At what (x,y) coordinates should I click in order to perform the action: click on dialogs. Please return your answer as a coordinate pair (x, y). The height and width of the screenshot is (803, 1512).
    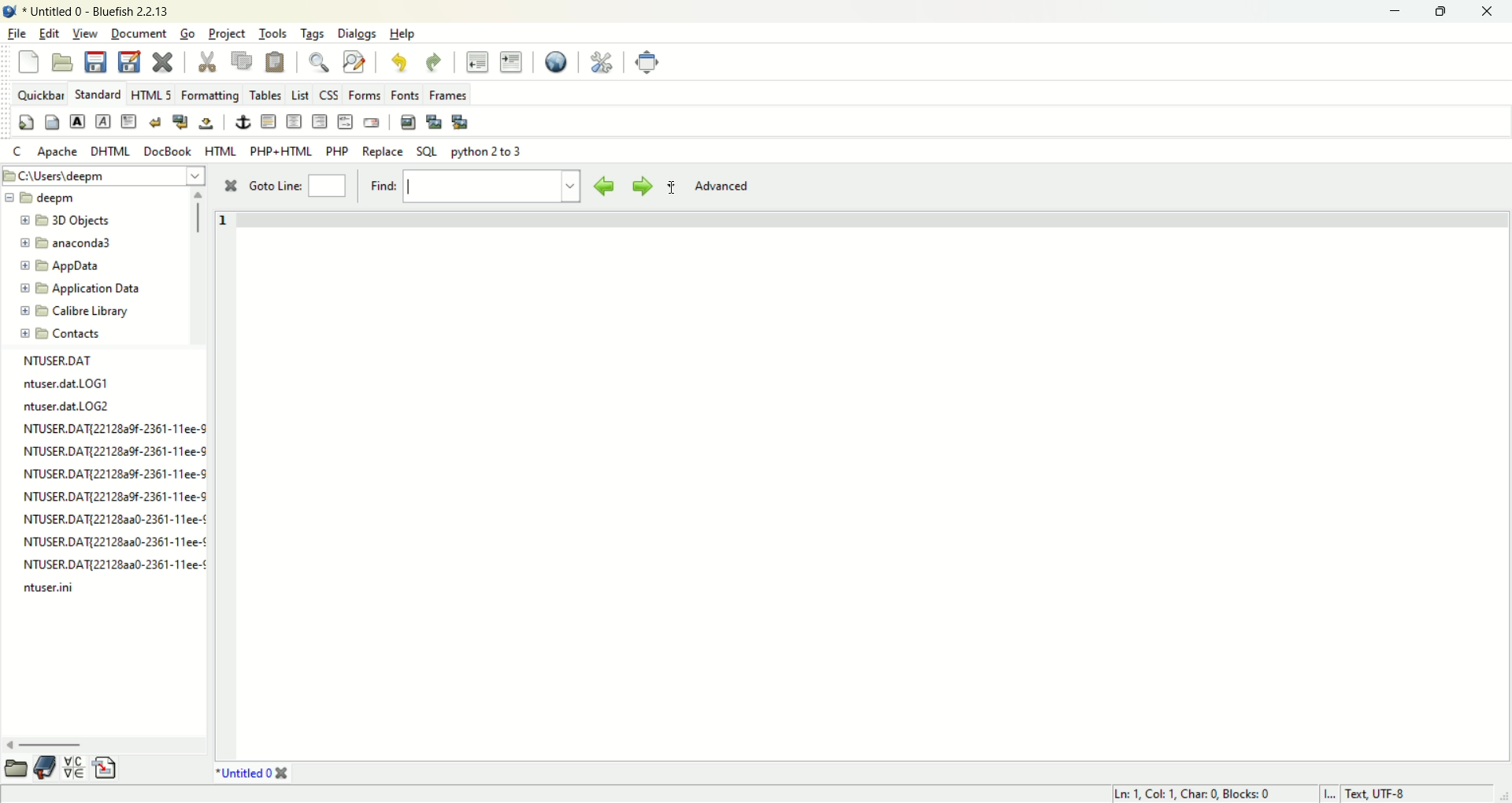
    Looking at the image, I should click on (362, 35).